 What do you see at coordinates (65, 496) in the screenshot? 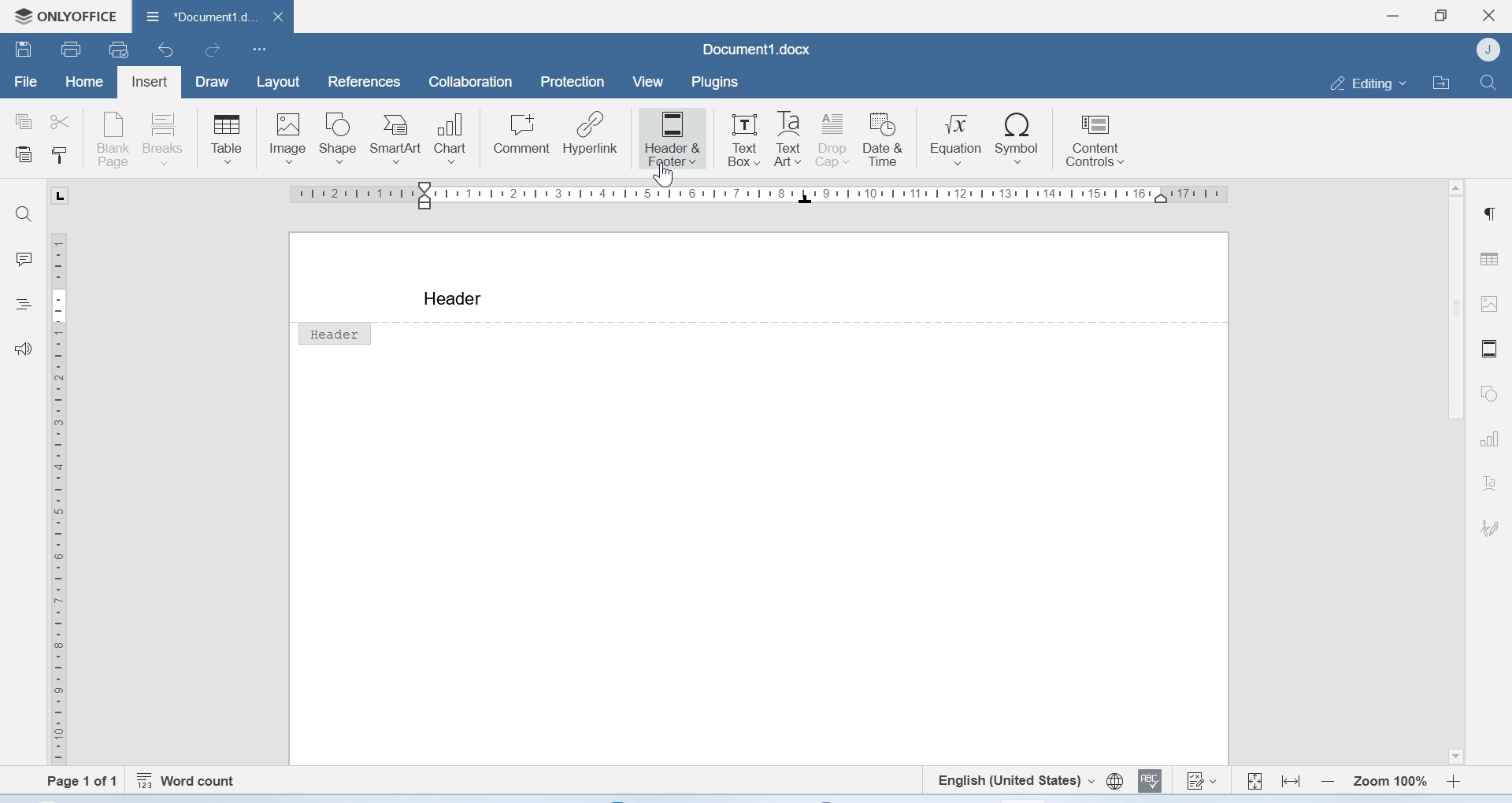
I see `Scale` at bounding box center [65, 496].